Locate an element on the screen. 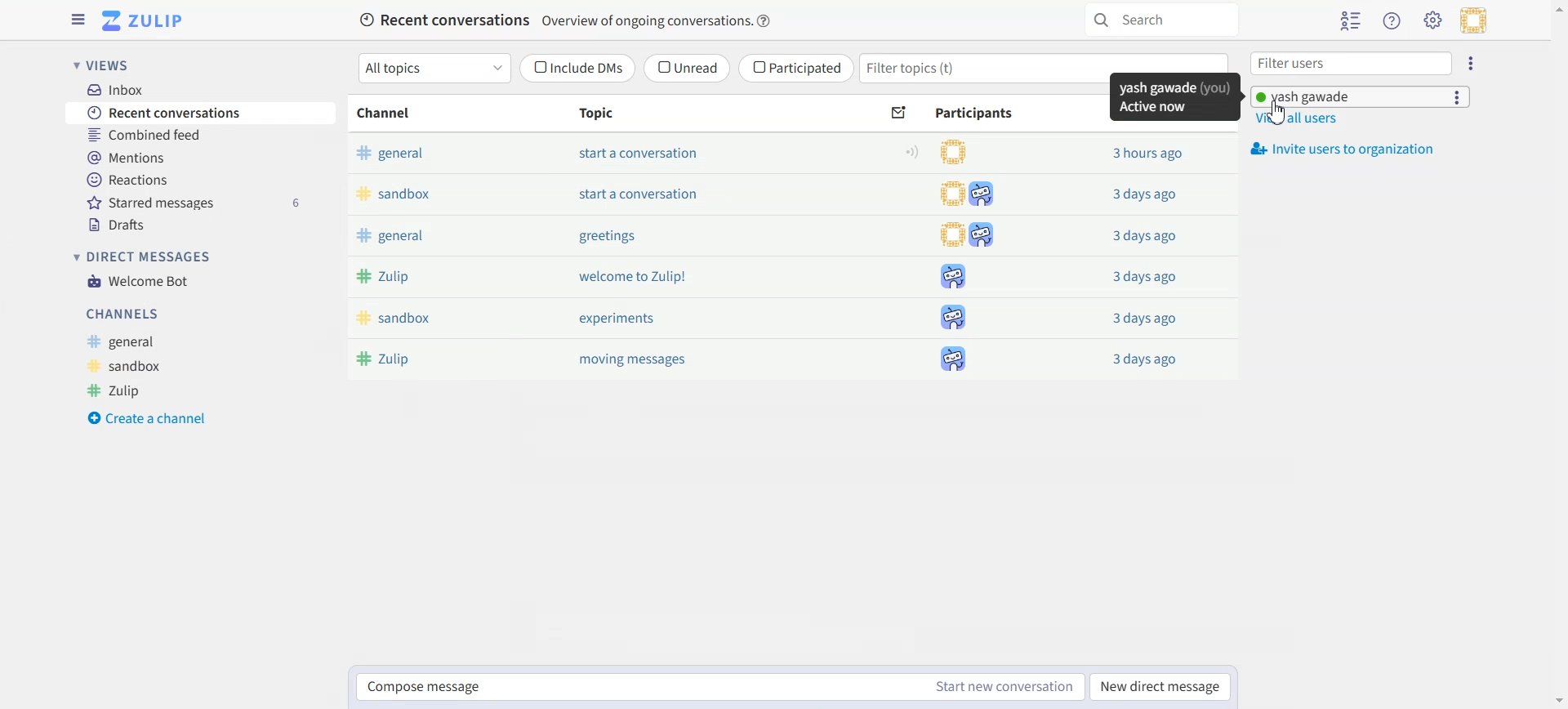  Search is located at coordinates (1158, 21).